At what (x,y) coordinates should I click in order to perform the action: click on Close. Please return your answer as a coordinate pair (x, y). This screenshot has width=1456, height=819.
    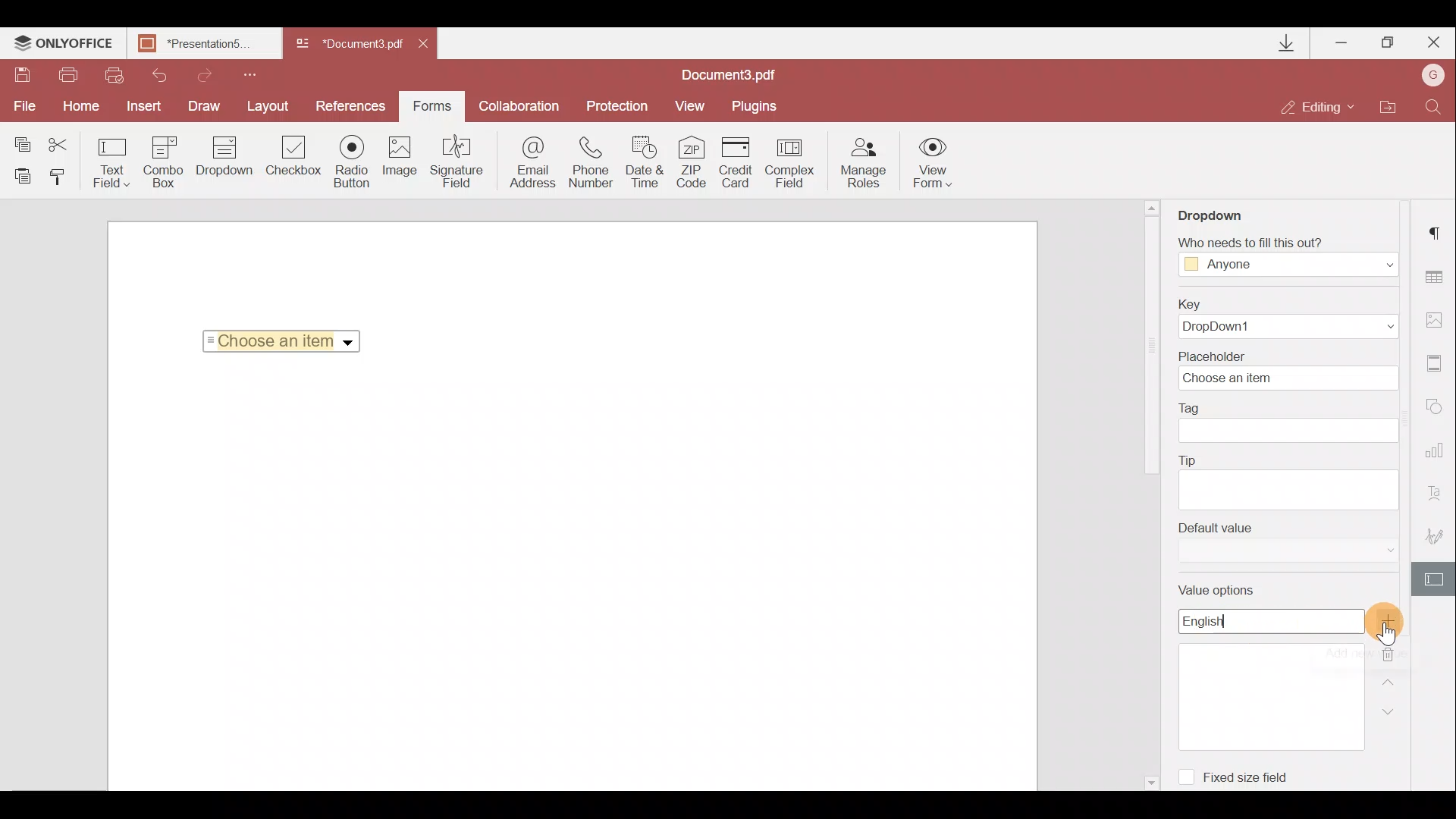
    Looking at the image, I should click on (1432, 39).